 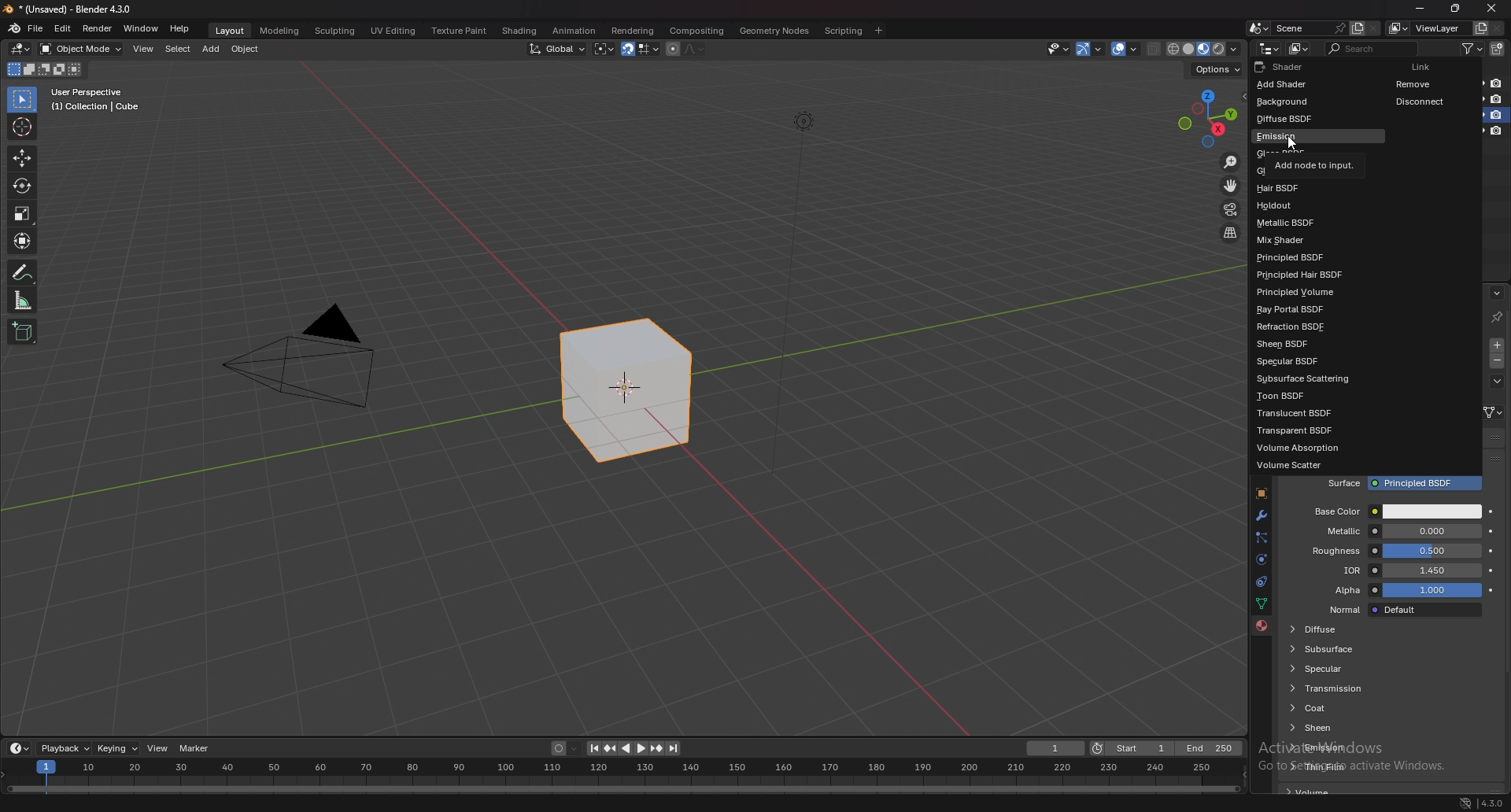 I want to click on User Perspective
(1) Collection | Cube, so click(x=100, y=101).